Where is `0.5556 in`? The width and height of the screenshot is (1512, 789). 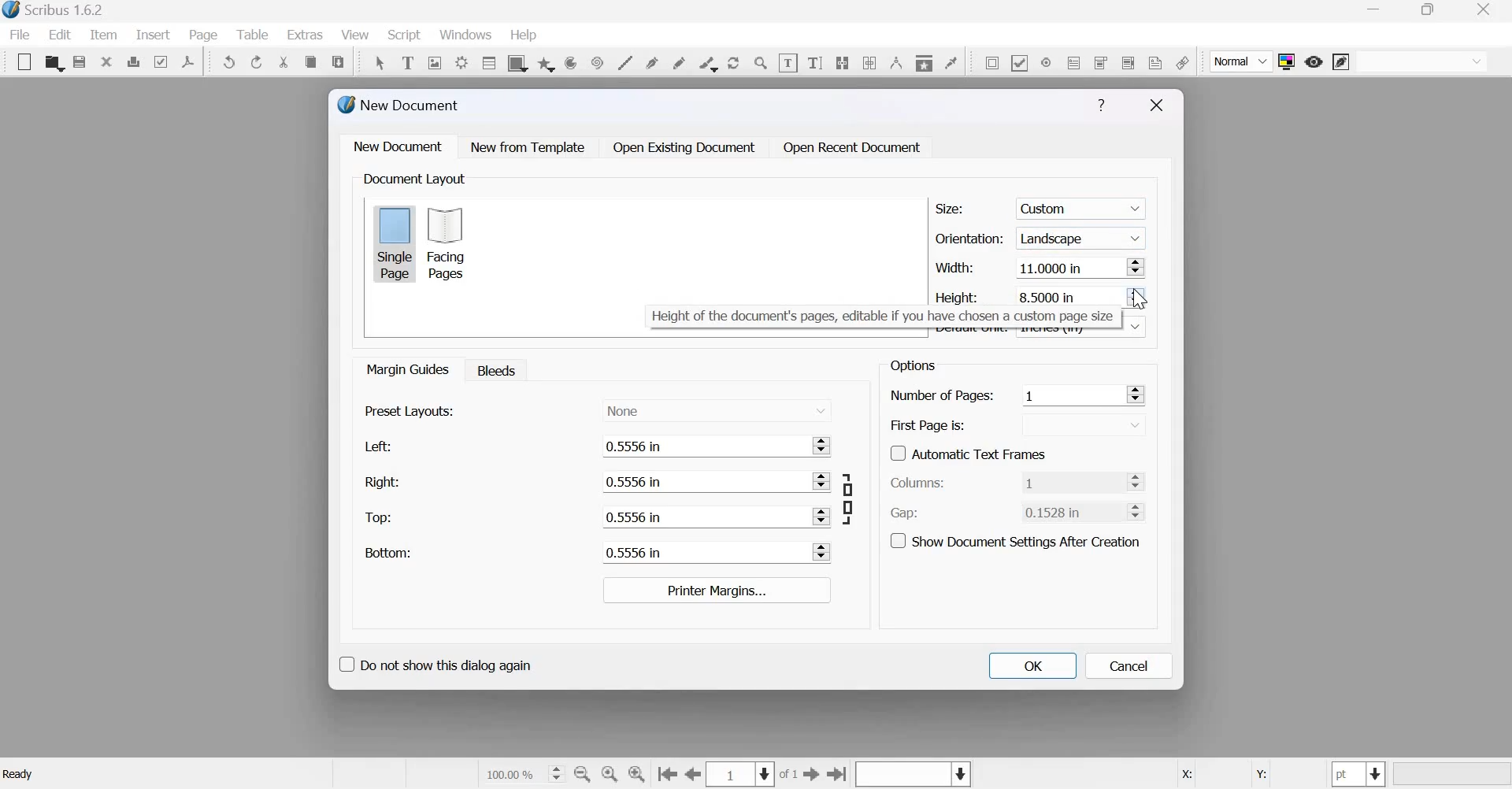 0.5556 in is located at coordinates (701, 446).